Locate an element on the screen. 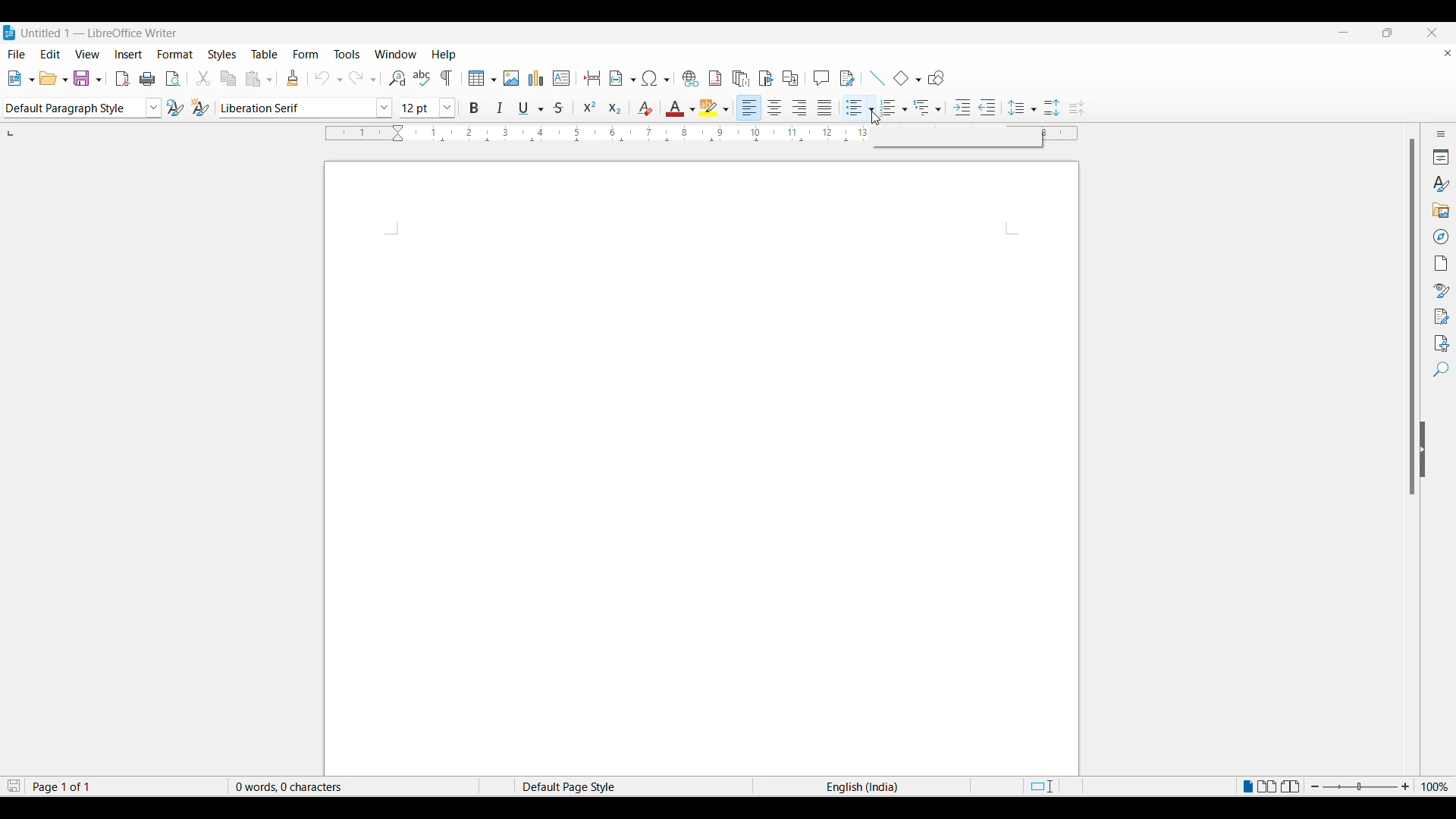 The width and height of the screenshot is (1456, 819). close is located at coordinates (1442, 55).